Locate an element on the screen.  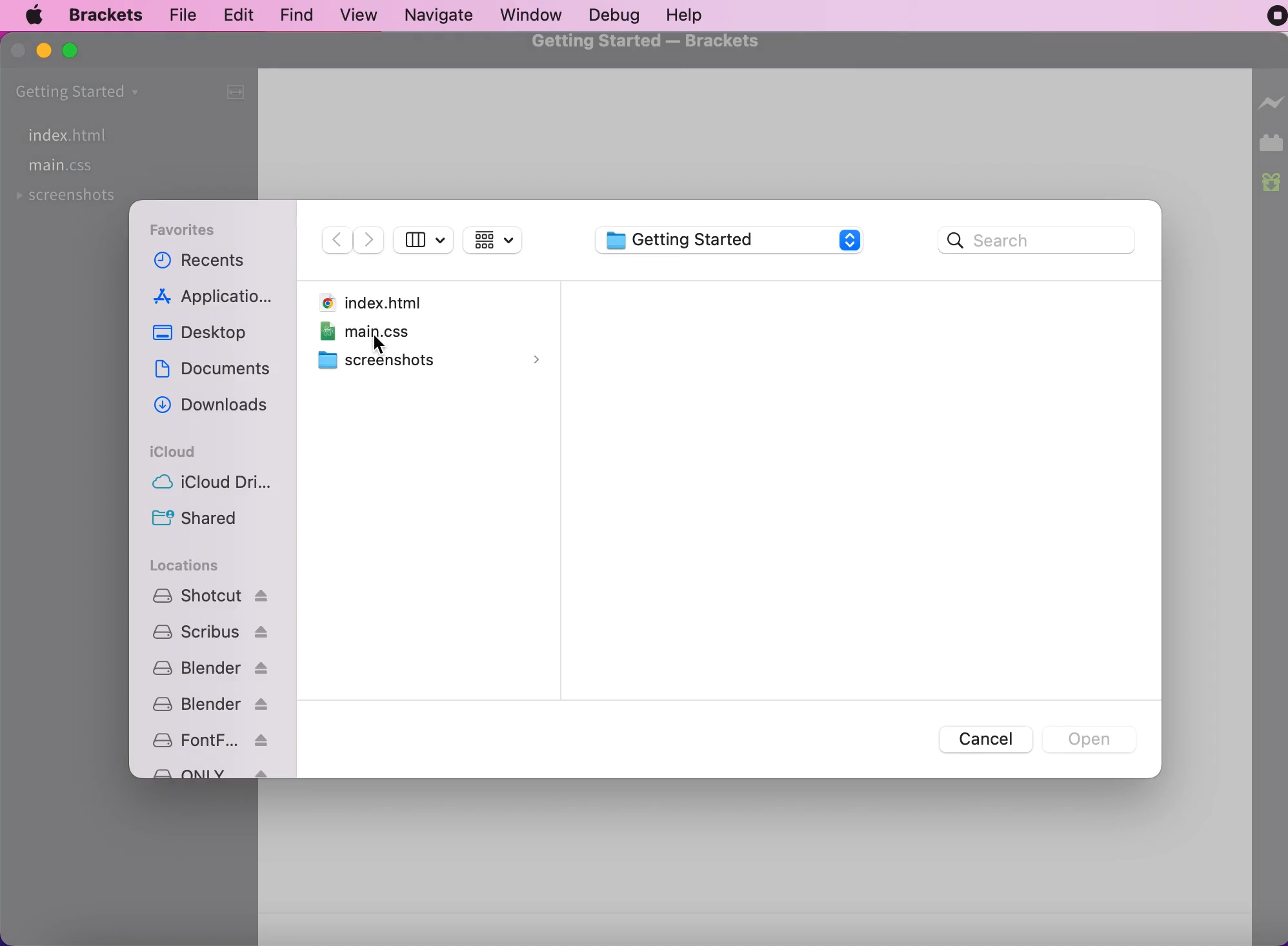
shotcut is located at coordinates (210, 596).